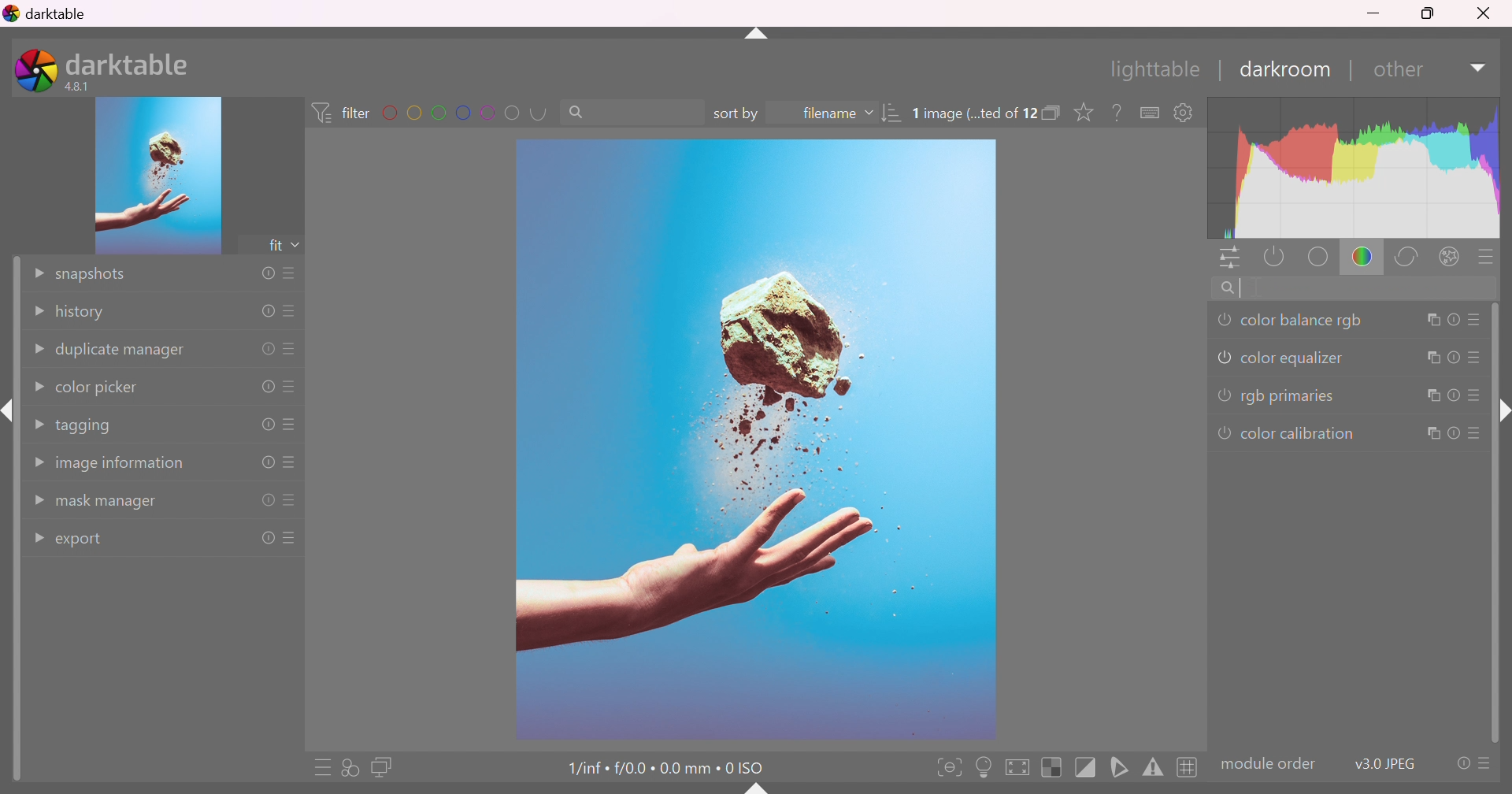 This screenshot has width=1512, height=794. What do you see at coordinates (1485, 764) in the screenshot?
I see `presets` at bounding box center [1485, 764].